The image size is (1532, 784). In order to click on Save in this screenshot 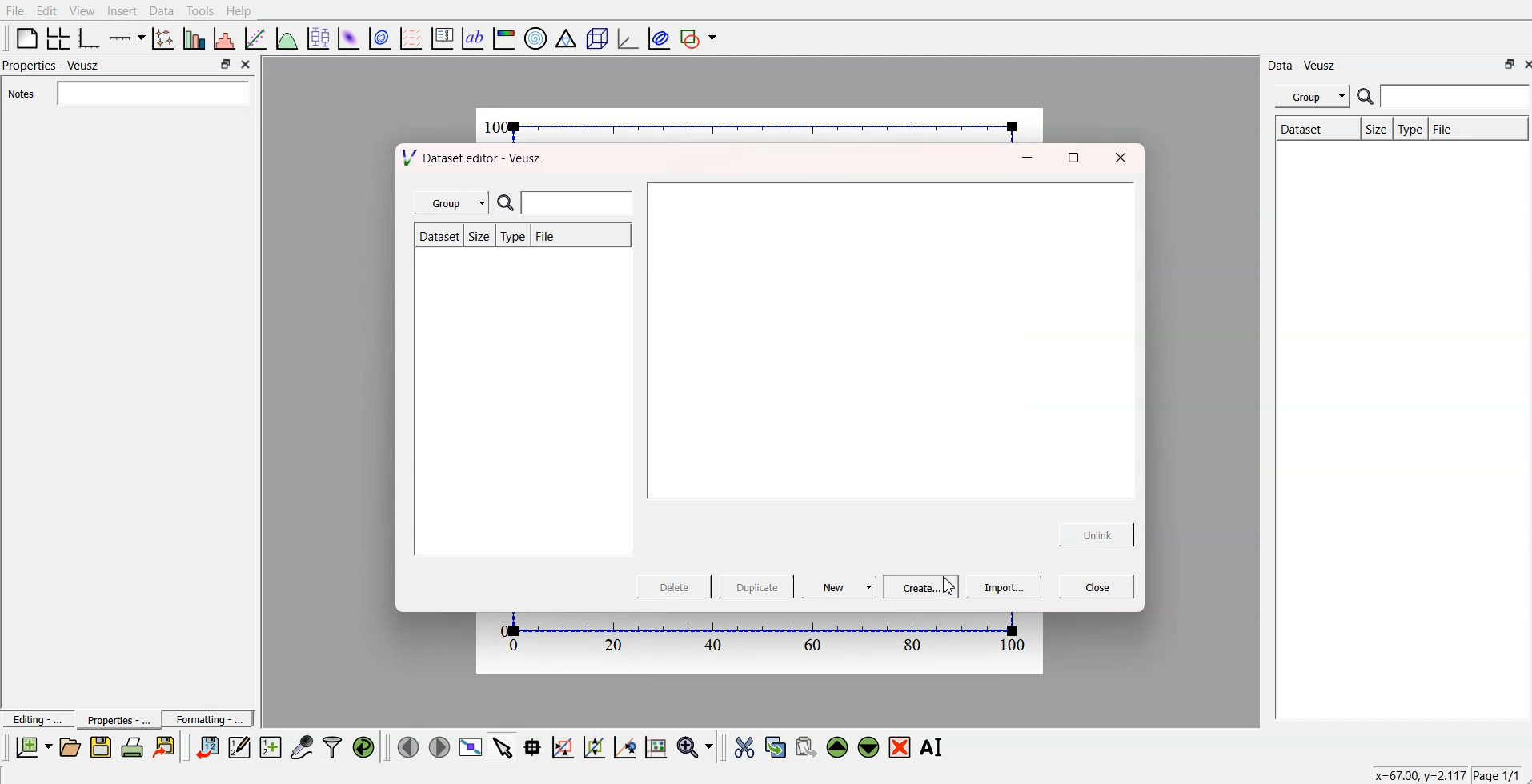, I will do `click(101, 747)`.